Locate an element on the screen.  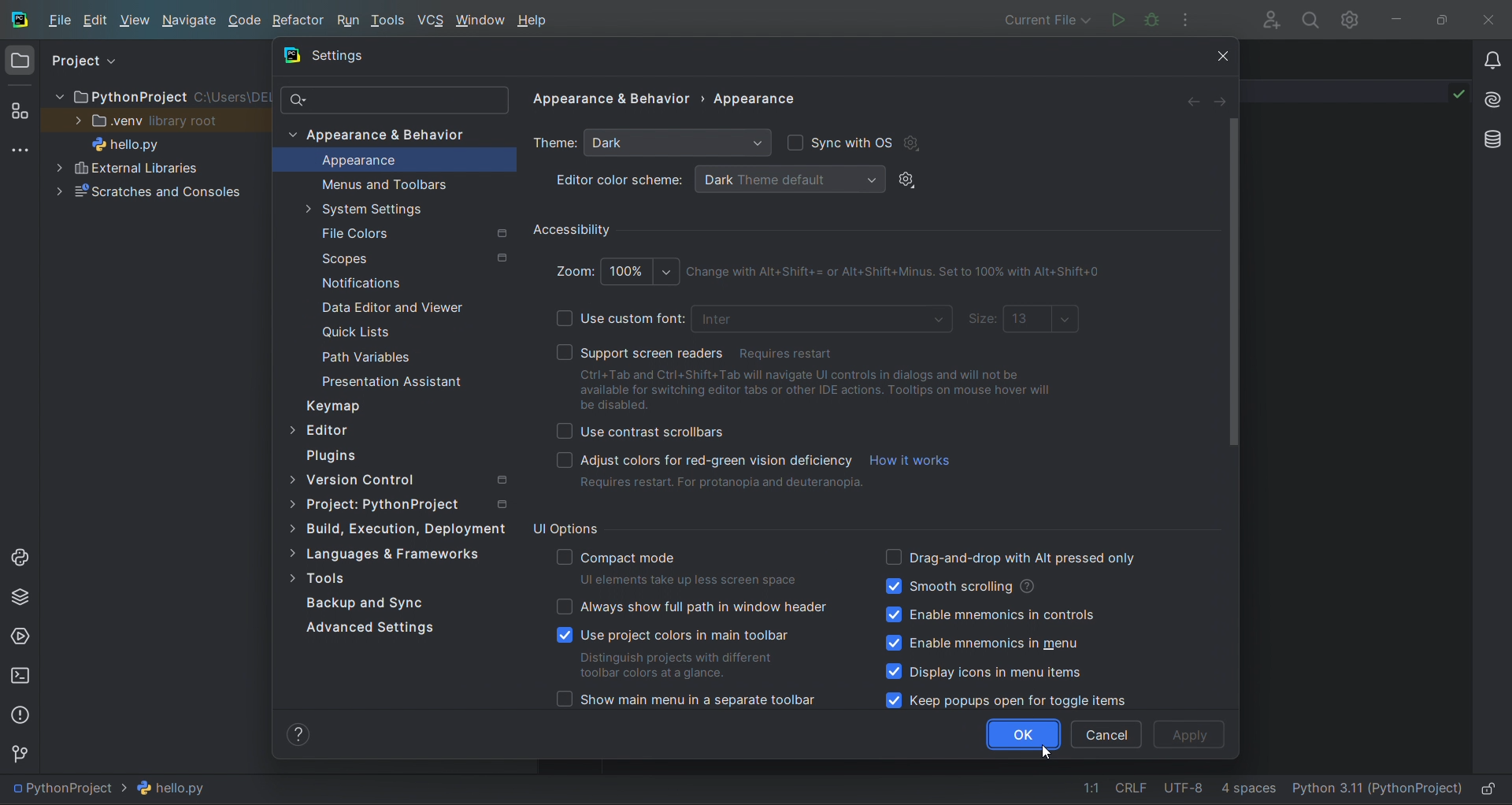
languages and frameworks is located at coordinates (395, 553).